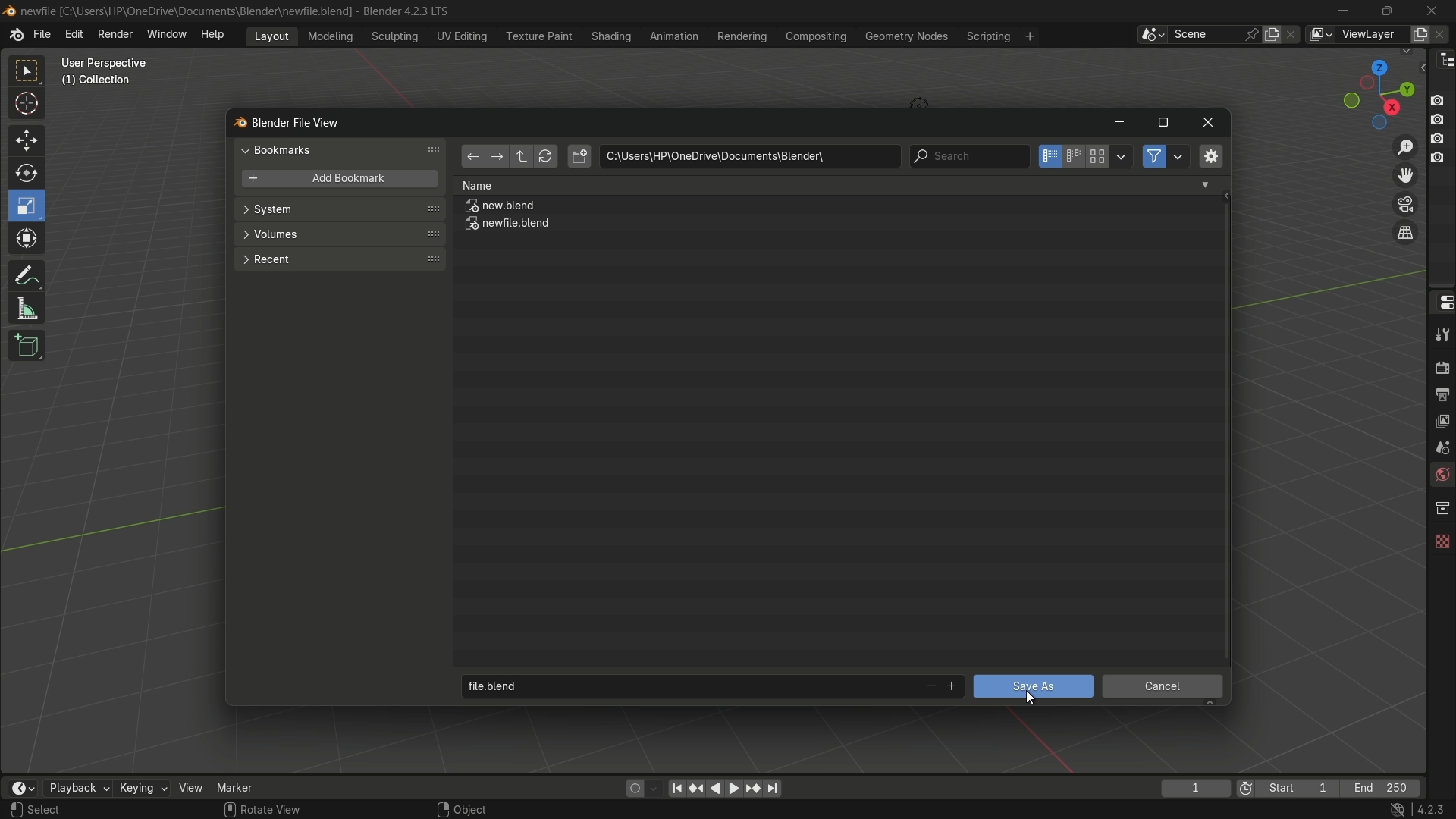  I want to click on new.blend file, so click(501, 208).